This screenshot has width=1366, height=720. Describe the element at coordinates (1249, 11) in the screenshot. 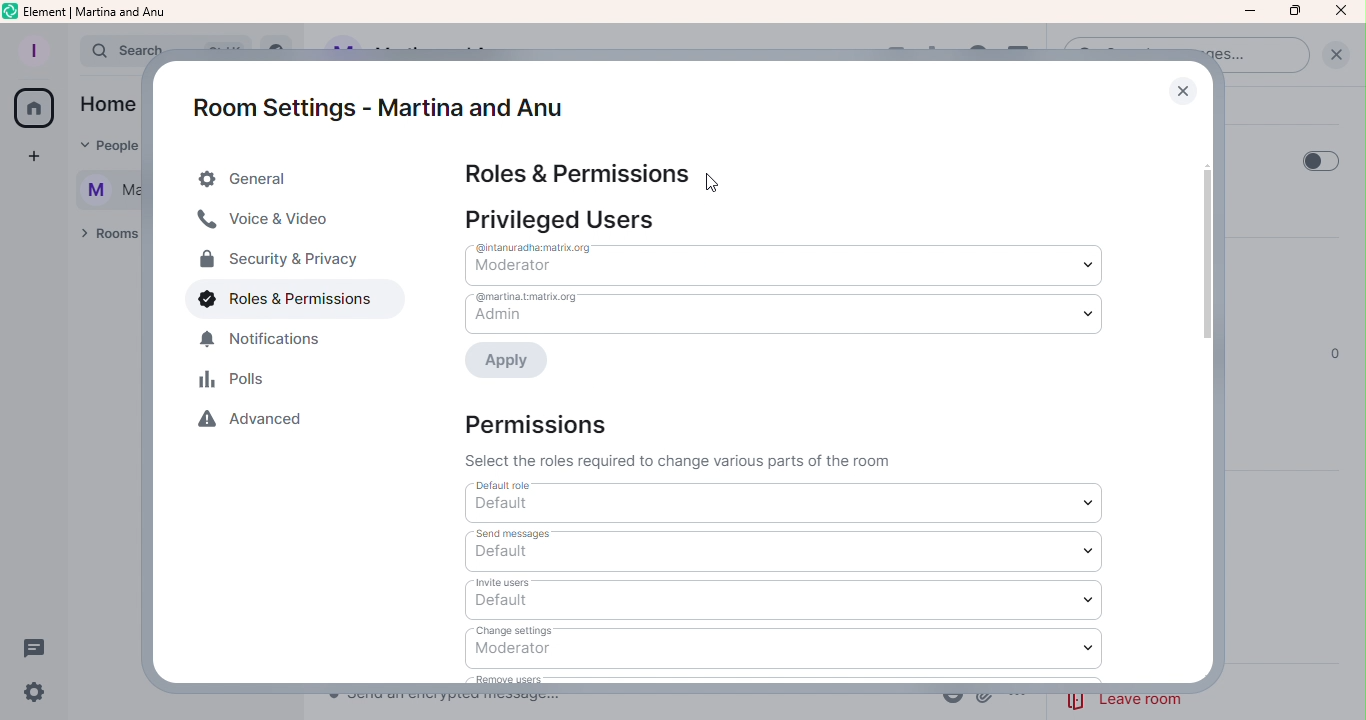

I see `Minimize` at that location.